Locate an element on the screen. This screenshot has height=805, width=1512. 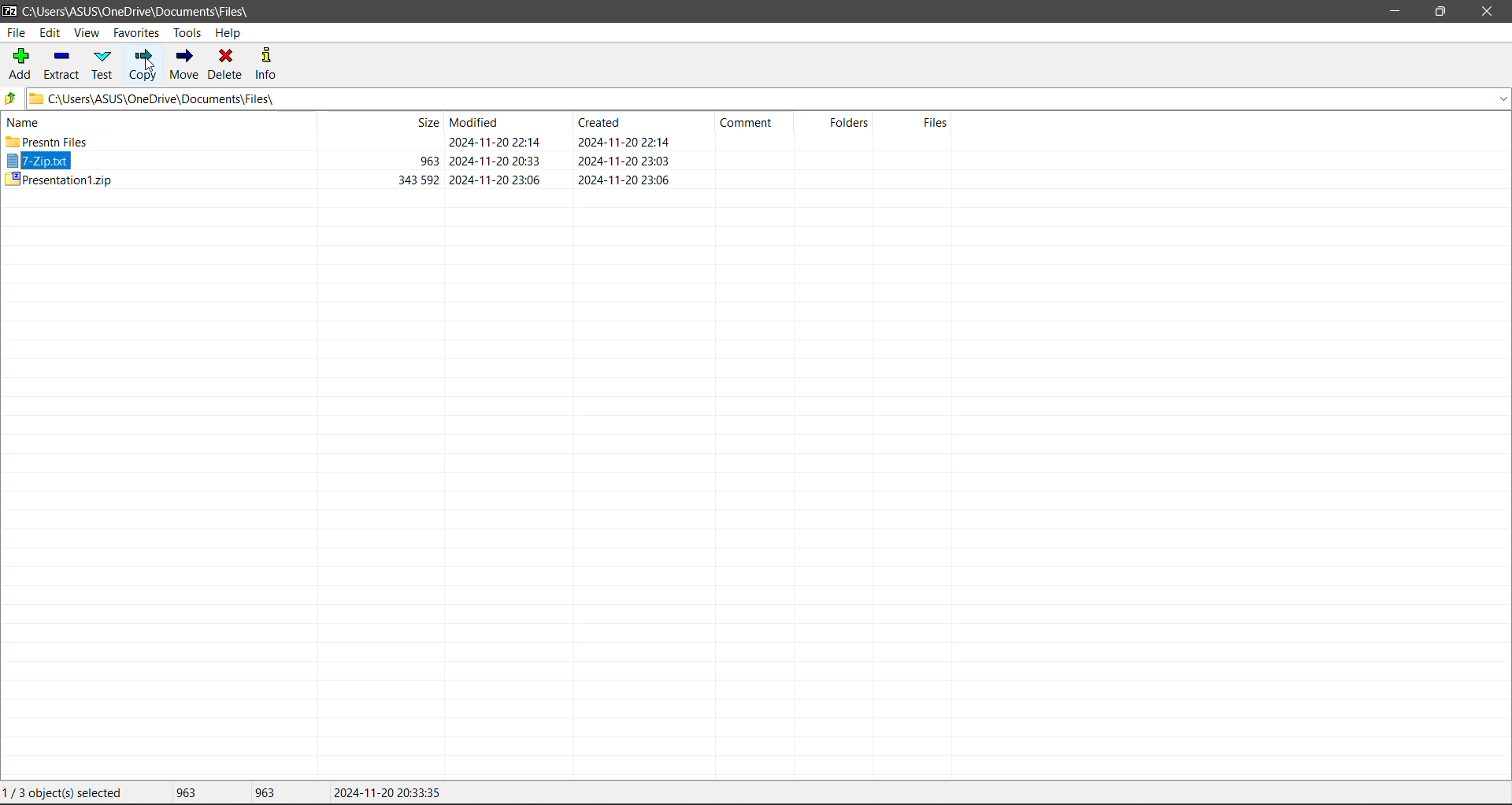
Files is located at coordinates (917, 131).